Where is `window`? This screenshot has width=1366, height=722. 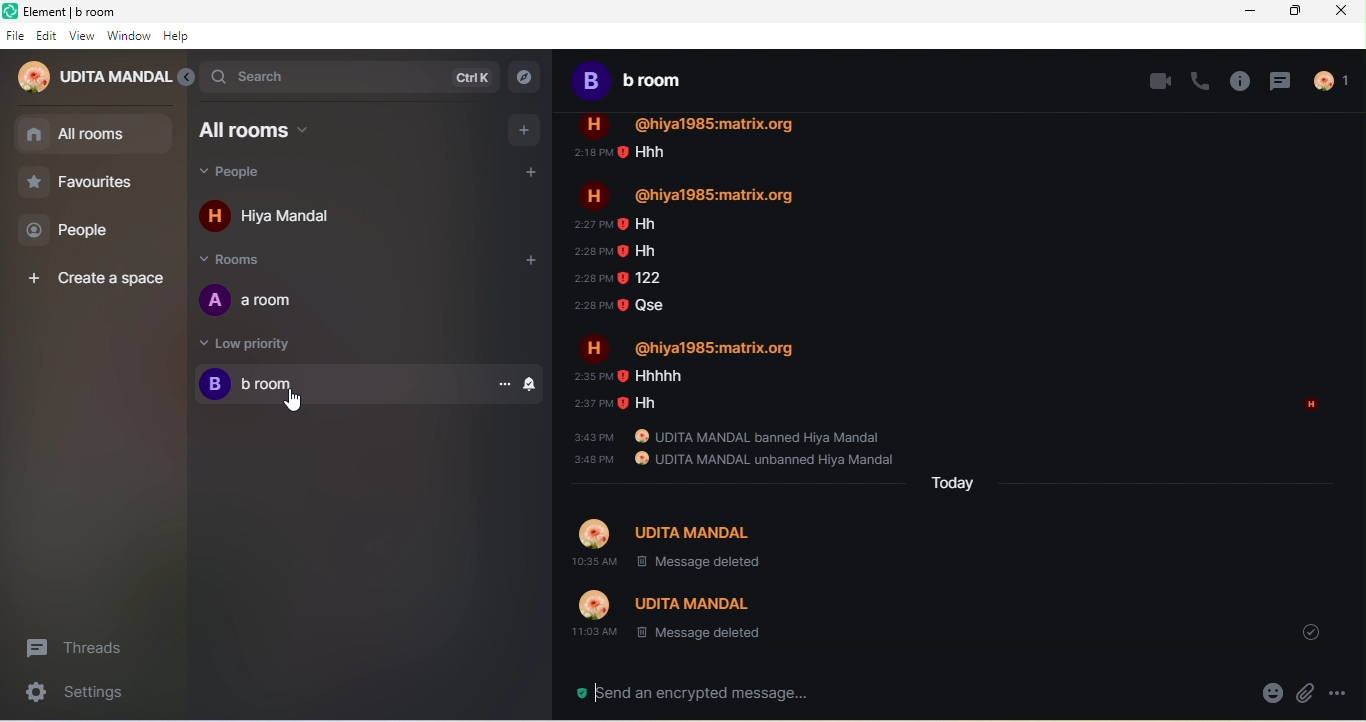
window is located at coordinates (129, 37).